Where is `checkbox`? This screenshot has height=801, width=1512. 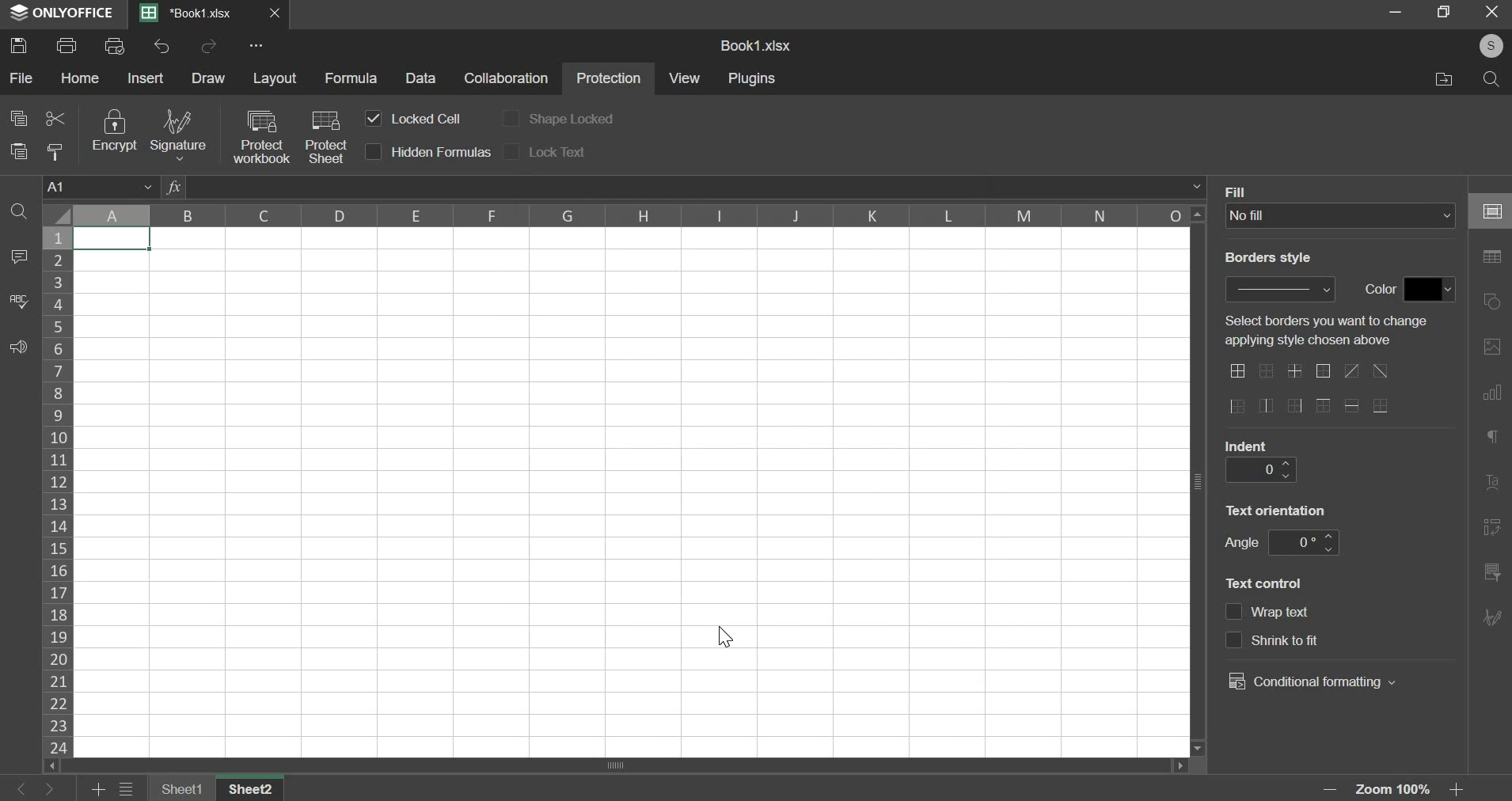 checkbox is located at coordinates (374, 152).